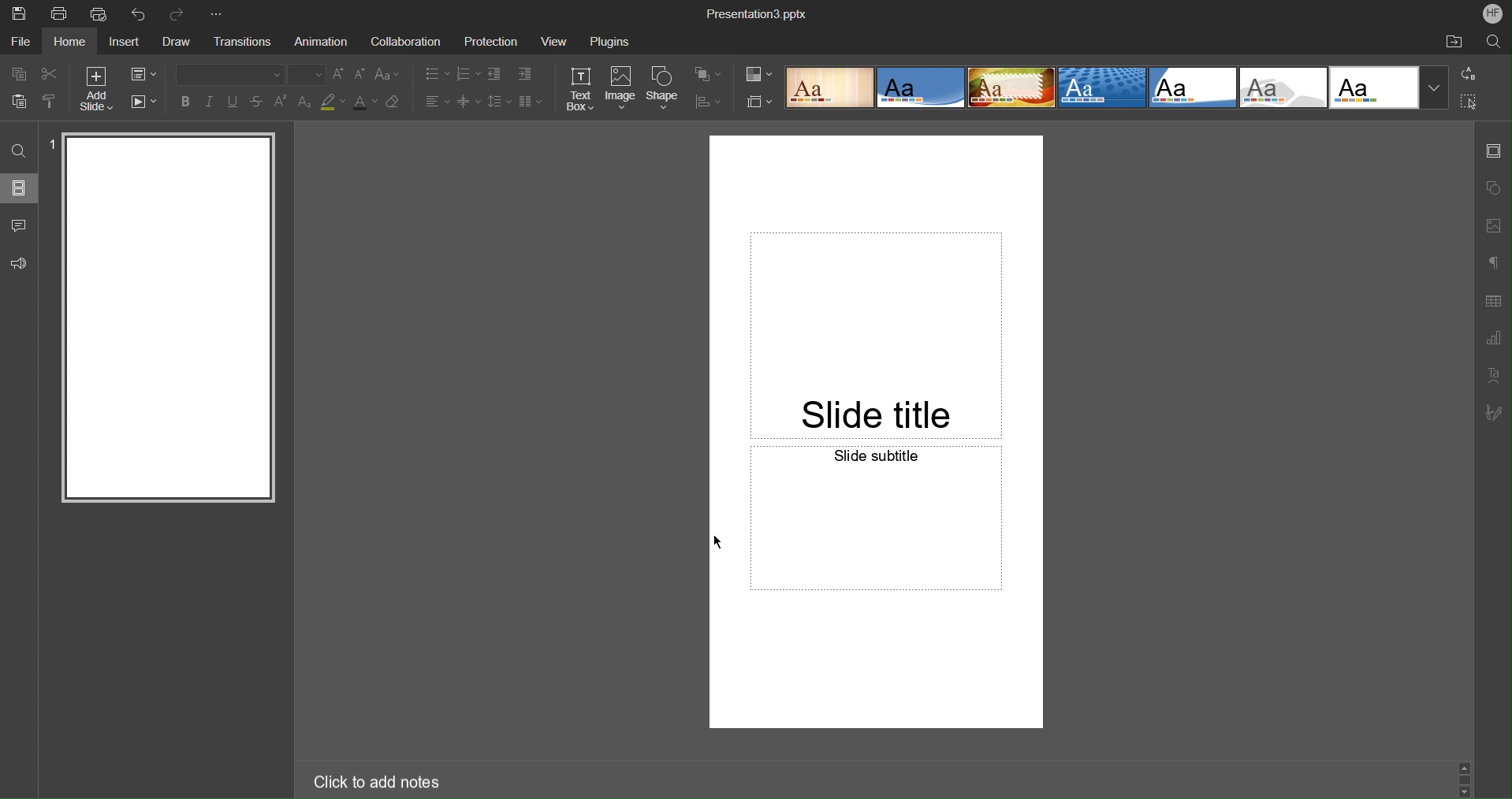 This screenshot has height=799, width=1512. I want to click on Animation, so click(323, 42).